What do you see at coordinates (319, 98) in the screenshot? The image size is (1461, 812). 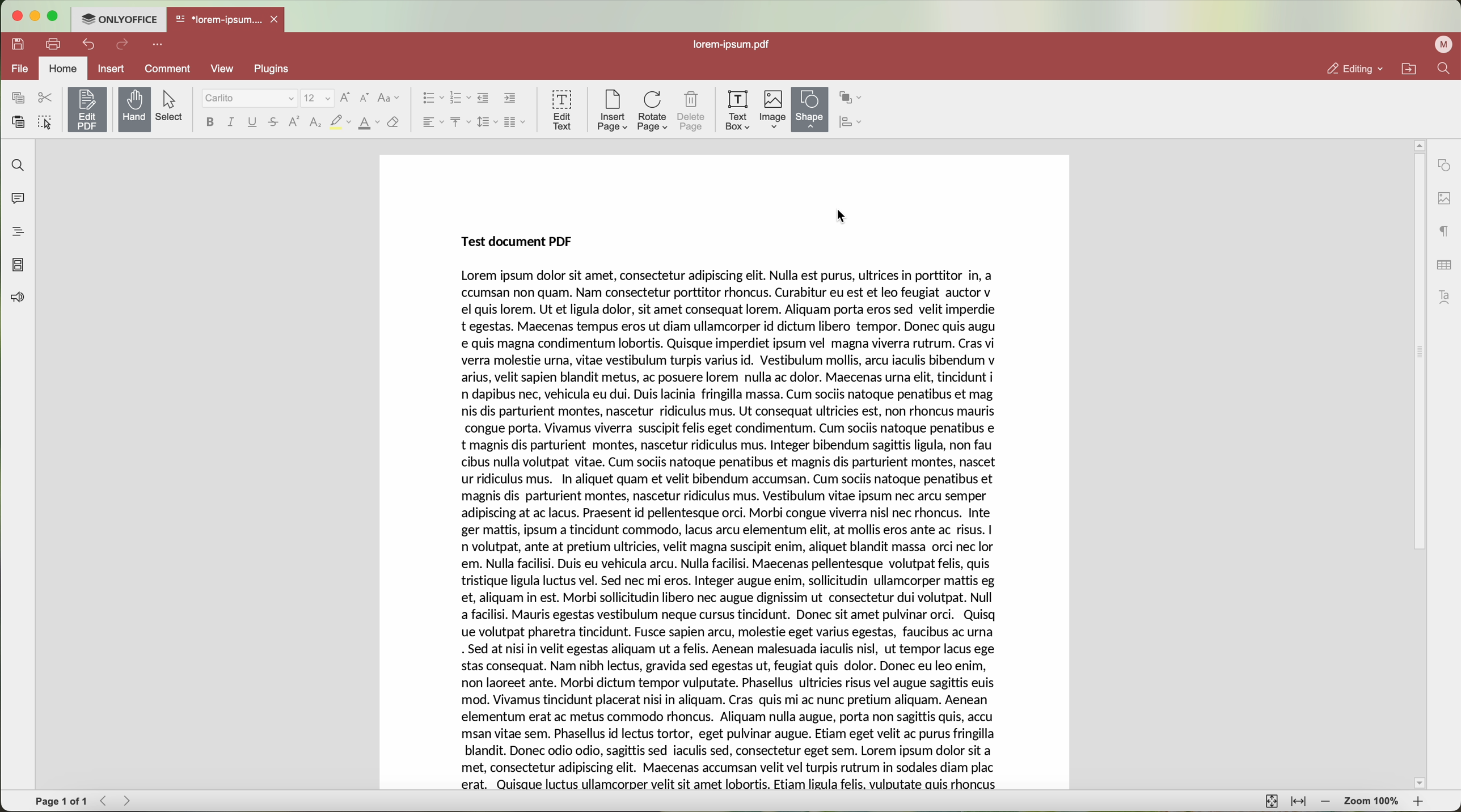 I see `size font` at bounding box center [319, 98].